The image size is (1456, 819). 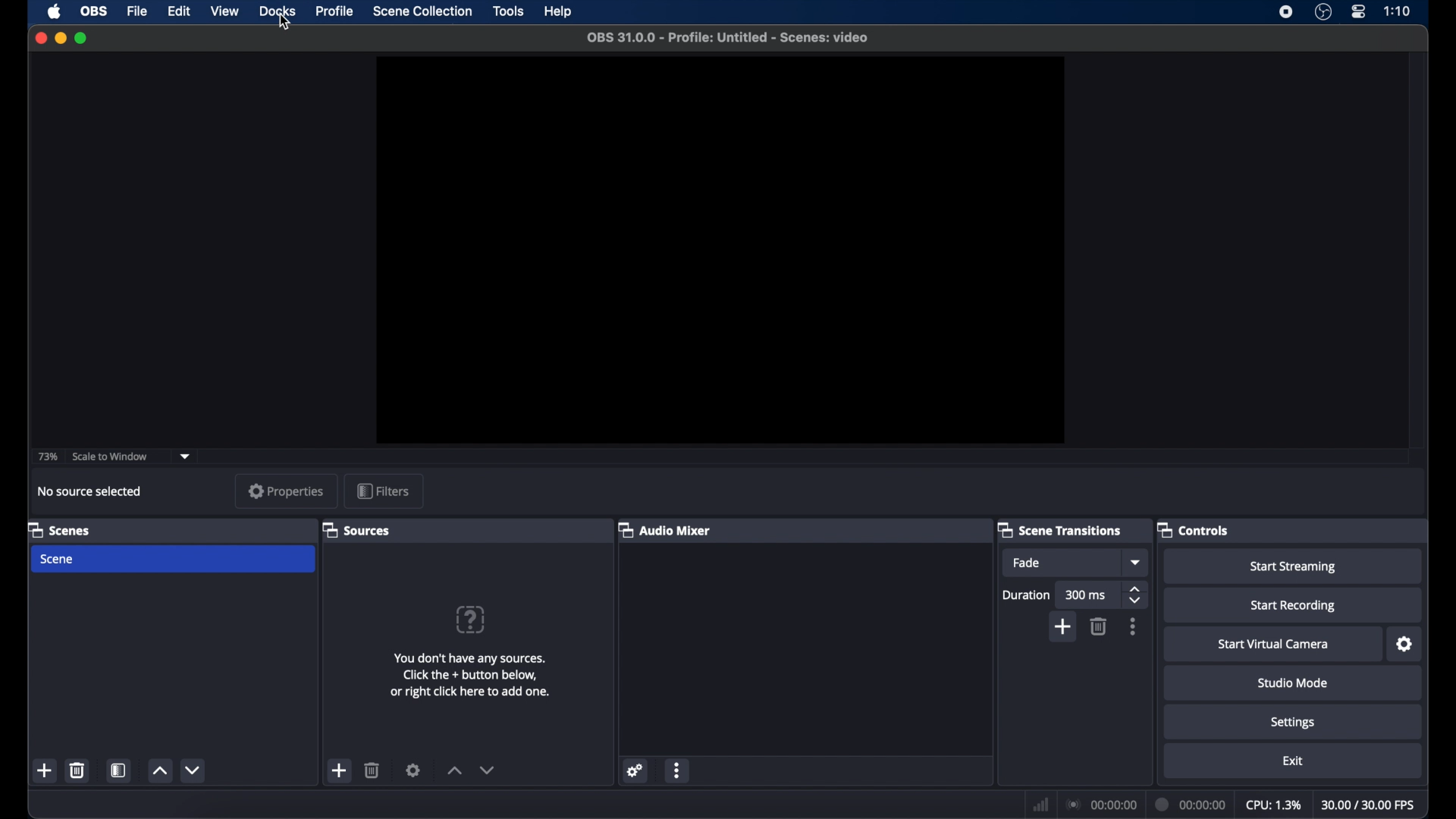 I want to click on duration, so click(x=1027, y=595).